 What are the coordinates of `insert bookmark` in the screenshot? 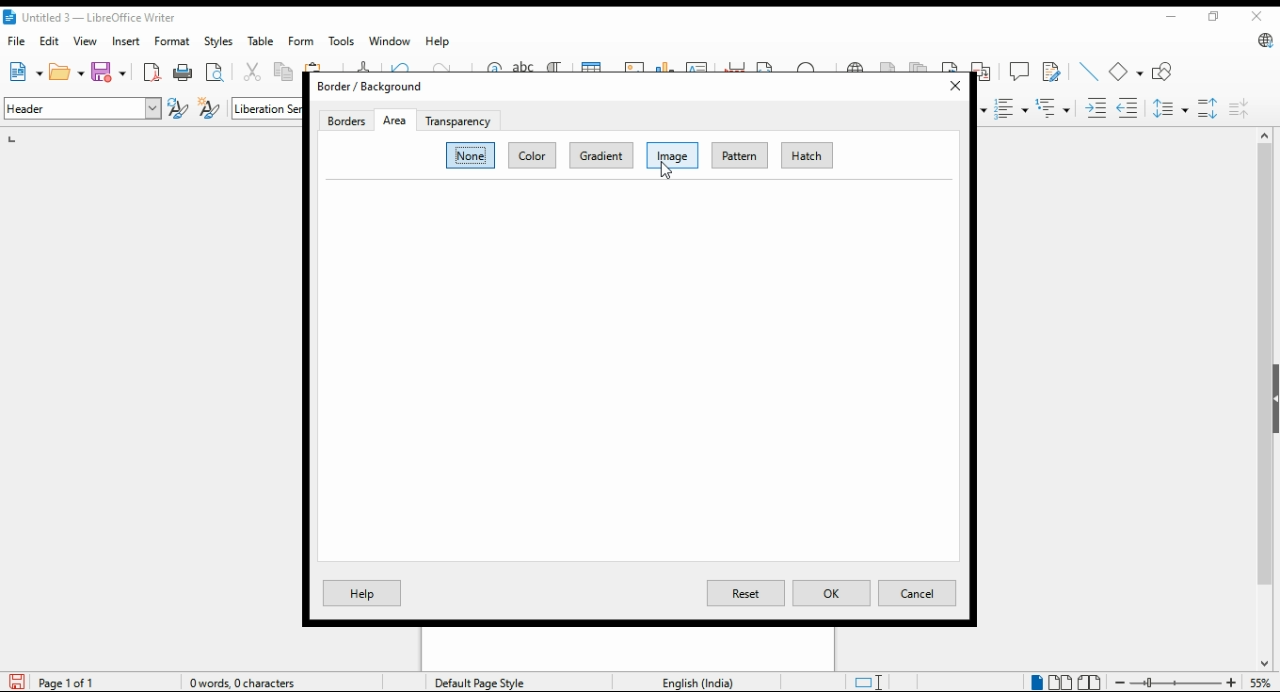 It's located at (951, 65).